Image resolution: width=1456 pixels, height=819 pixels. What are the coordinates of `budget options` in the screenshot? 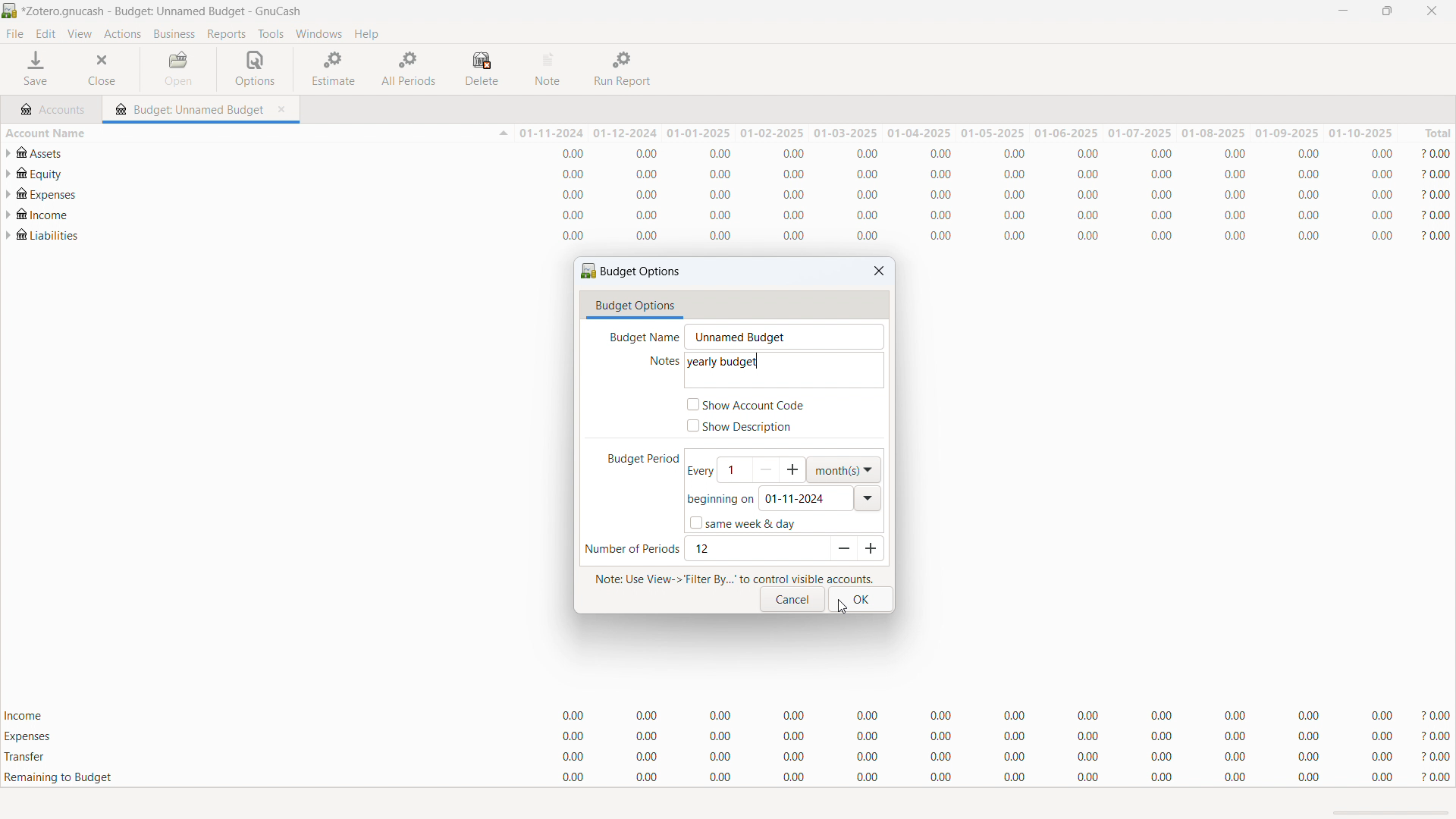 It's located at (635, 306).